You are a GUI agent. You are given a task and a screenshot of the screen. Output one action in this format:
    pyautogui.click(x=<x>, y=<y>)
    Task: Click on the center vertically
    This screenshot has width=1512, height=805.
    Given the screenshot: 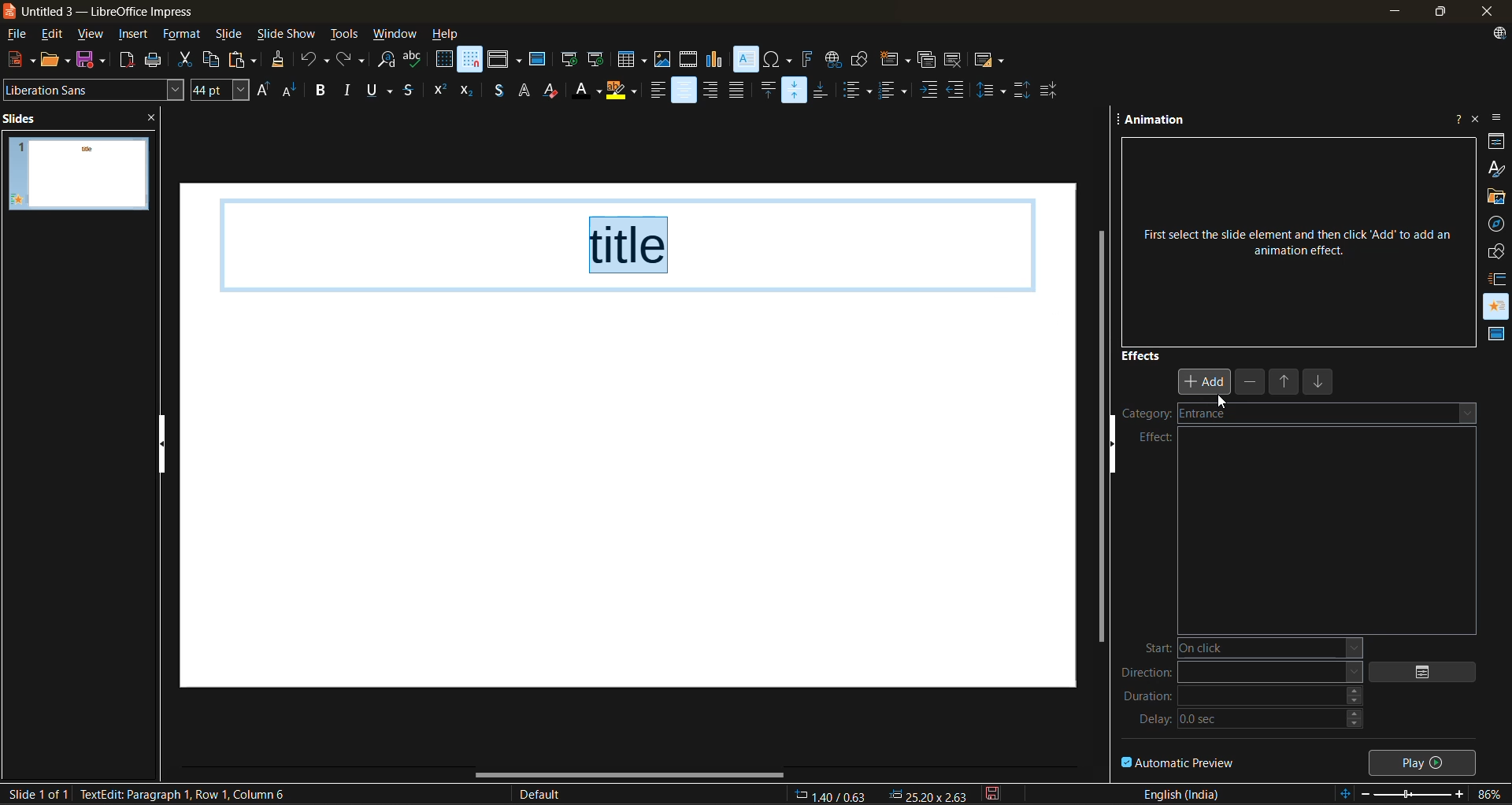 What is the action you would take?
    pyautogui.click(x=796, y=89)
    